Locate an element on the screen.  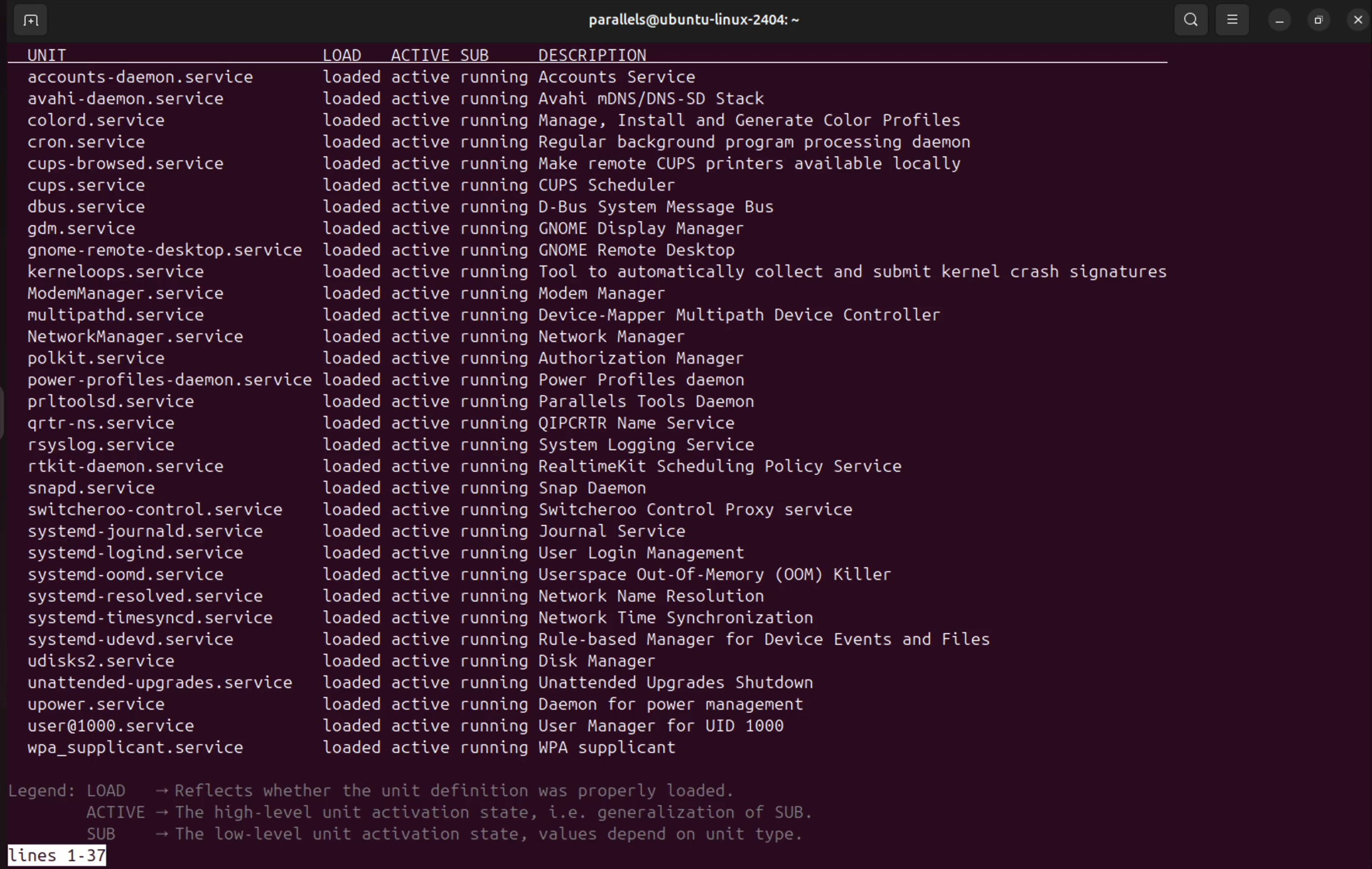
use 100 service is located at coordinates (132, 724).